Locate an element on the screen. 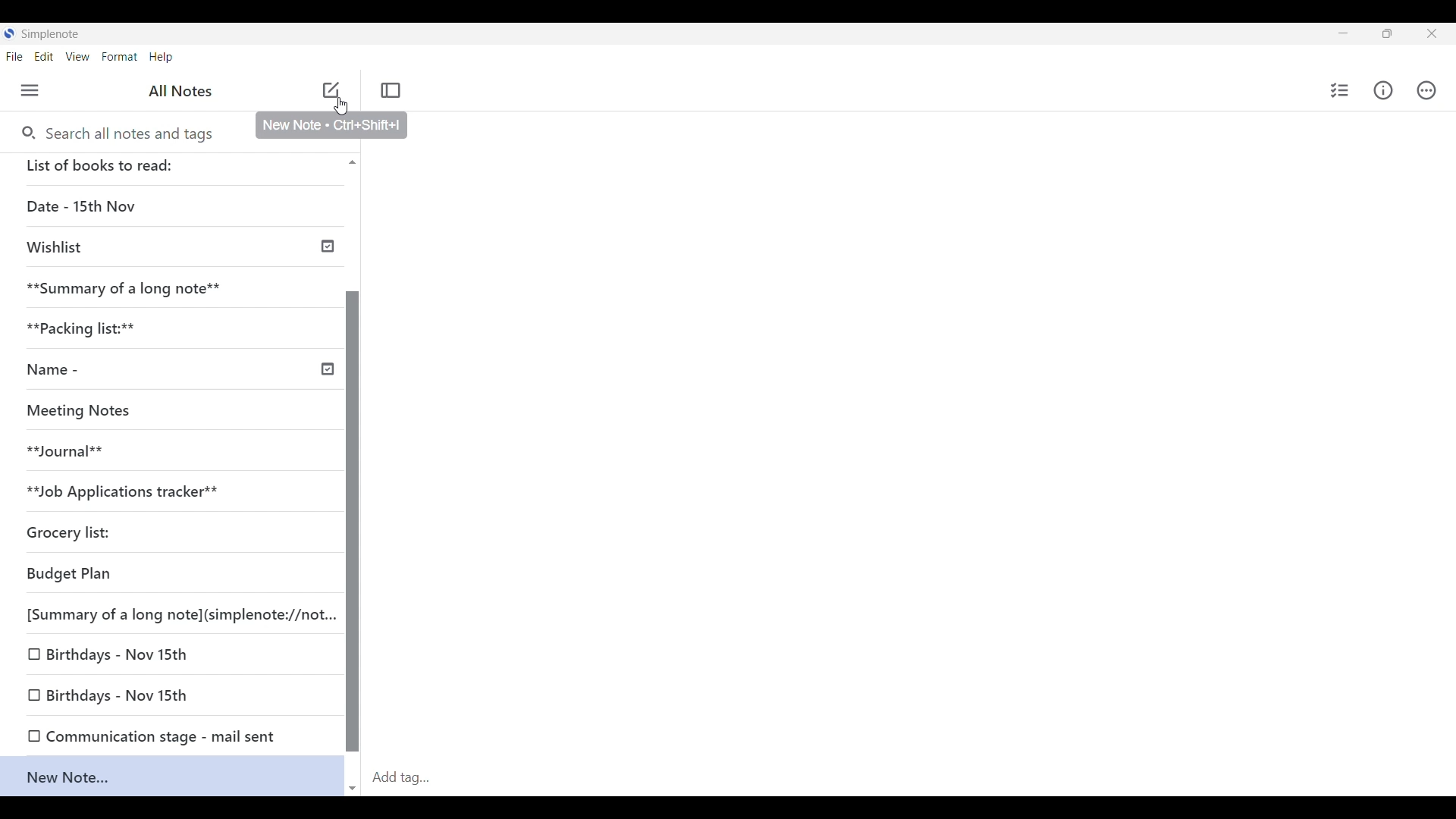 This screenshot has height=819, width=1456. Info is located at coordinates (1385, 91).